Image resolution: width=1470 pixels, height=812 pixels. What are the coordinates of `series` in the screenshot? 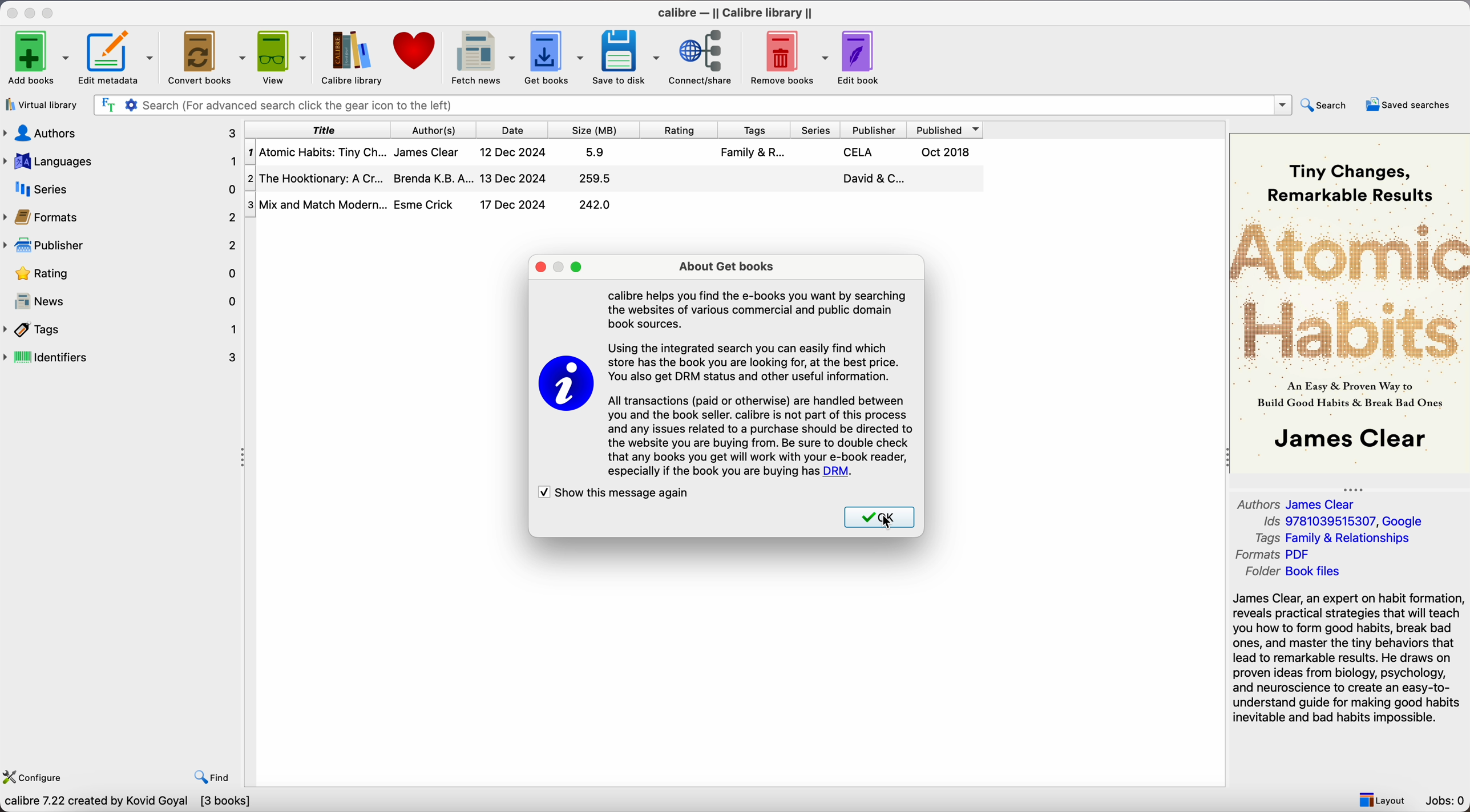 It's located at (120, 189).